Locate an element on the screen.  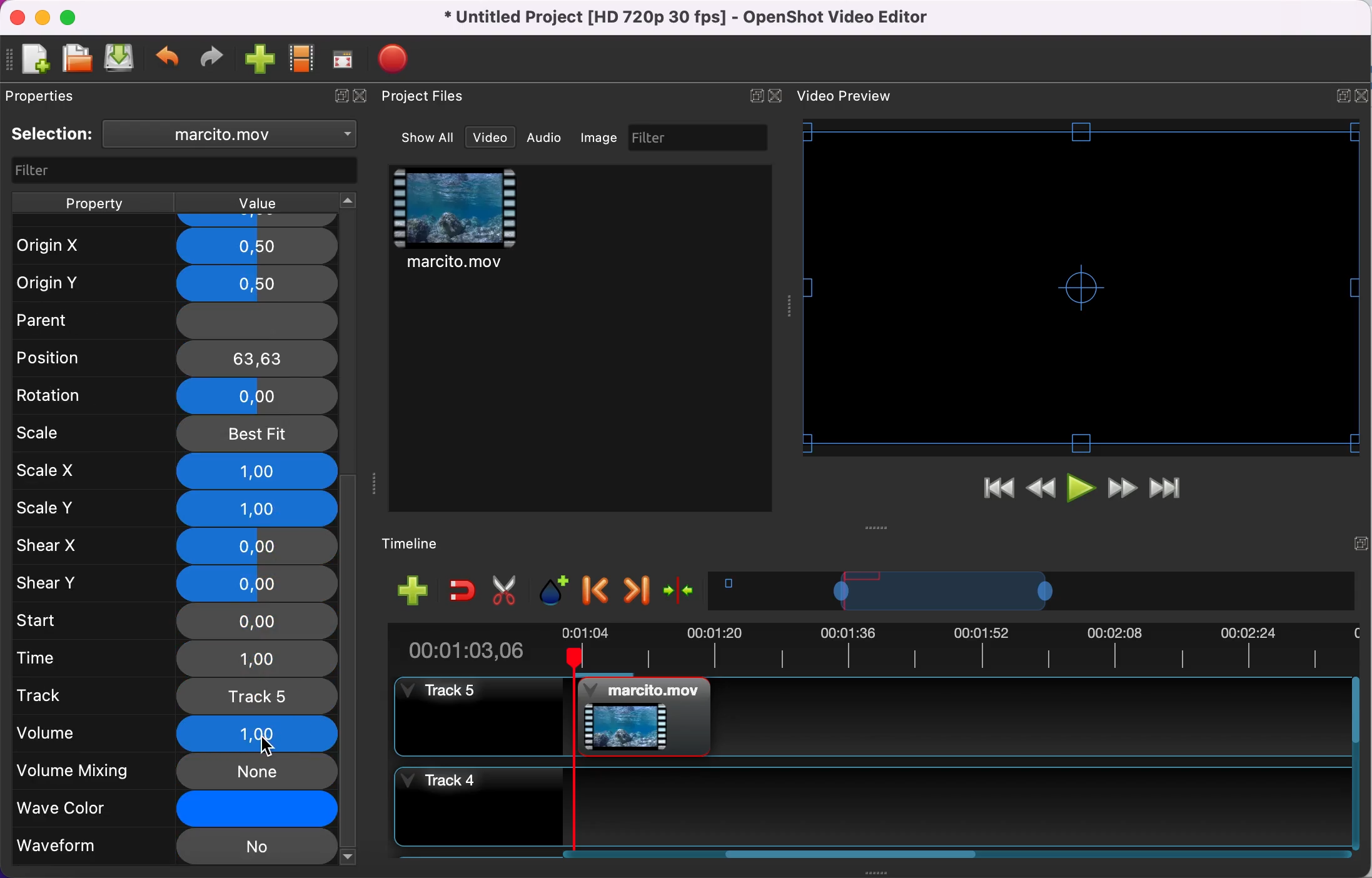
shear y 0 is located at coordinates (176, 583).